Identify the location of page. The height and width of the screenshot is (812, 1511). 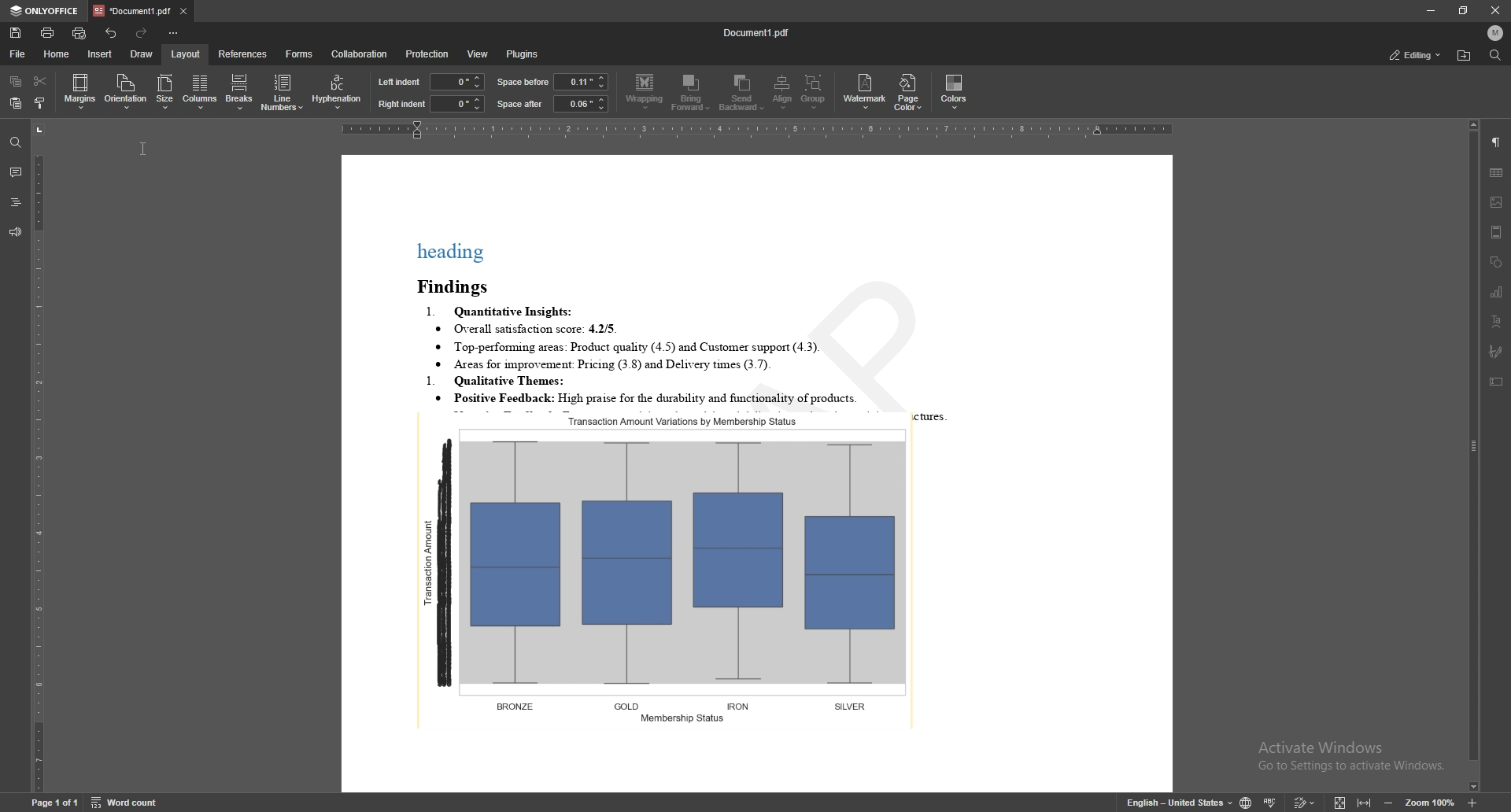
(53, 802).